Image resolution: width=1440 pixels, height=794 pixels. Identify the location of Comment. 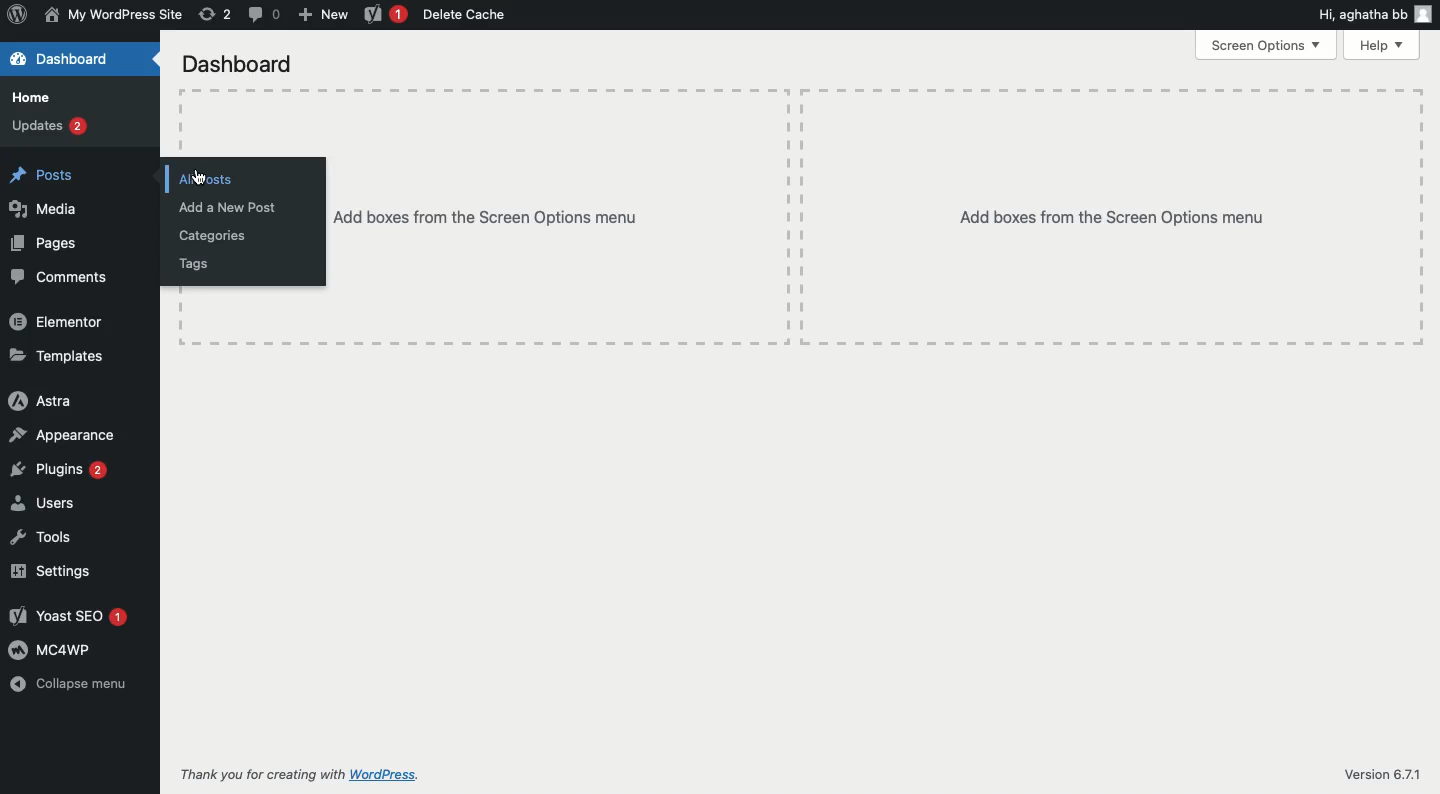
(263, 13).